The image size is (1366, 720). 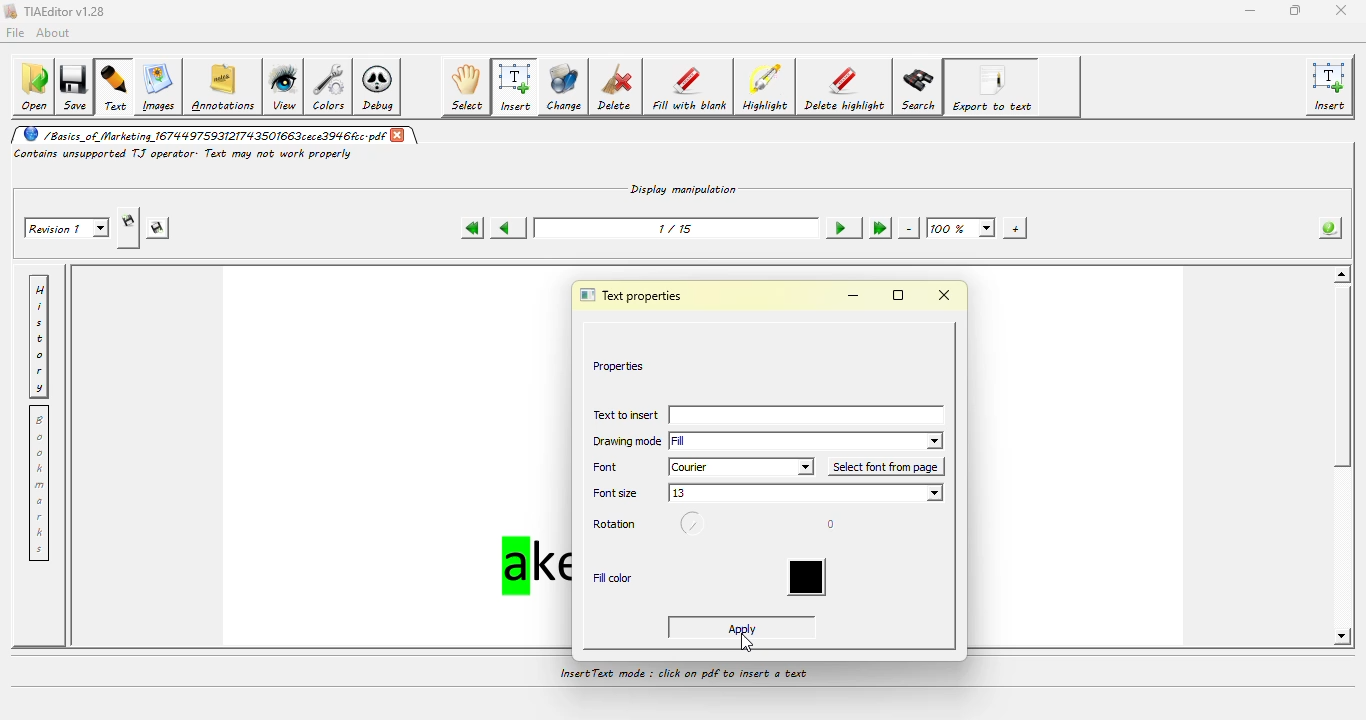 What do you see at coordinates (56, 32) in the screenshot?
I see `about` at bounding box center [56, 32].